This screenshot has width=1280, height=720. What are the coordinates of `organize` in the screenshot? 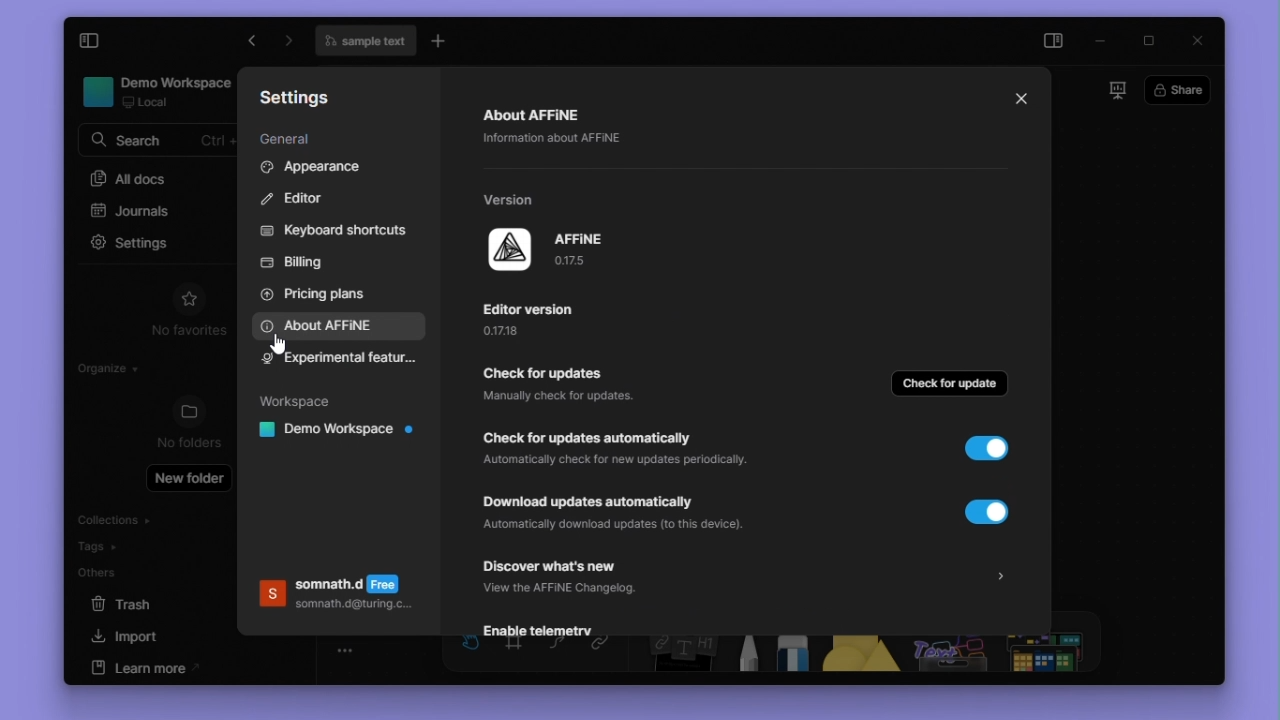 It's located at (111, 368).